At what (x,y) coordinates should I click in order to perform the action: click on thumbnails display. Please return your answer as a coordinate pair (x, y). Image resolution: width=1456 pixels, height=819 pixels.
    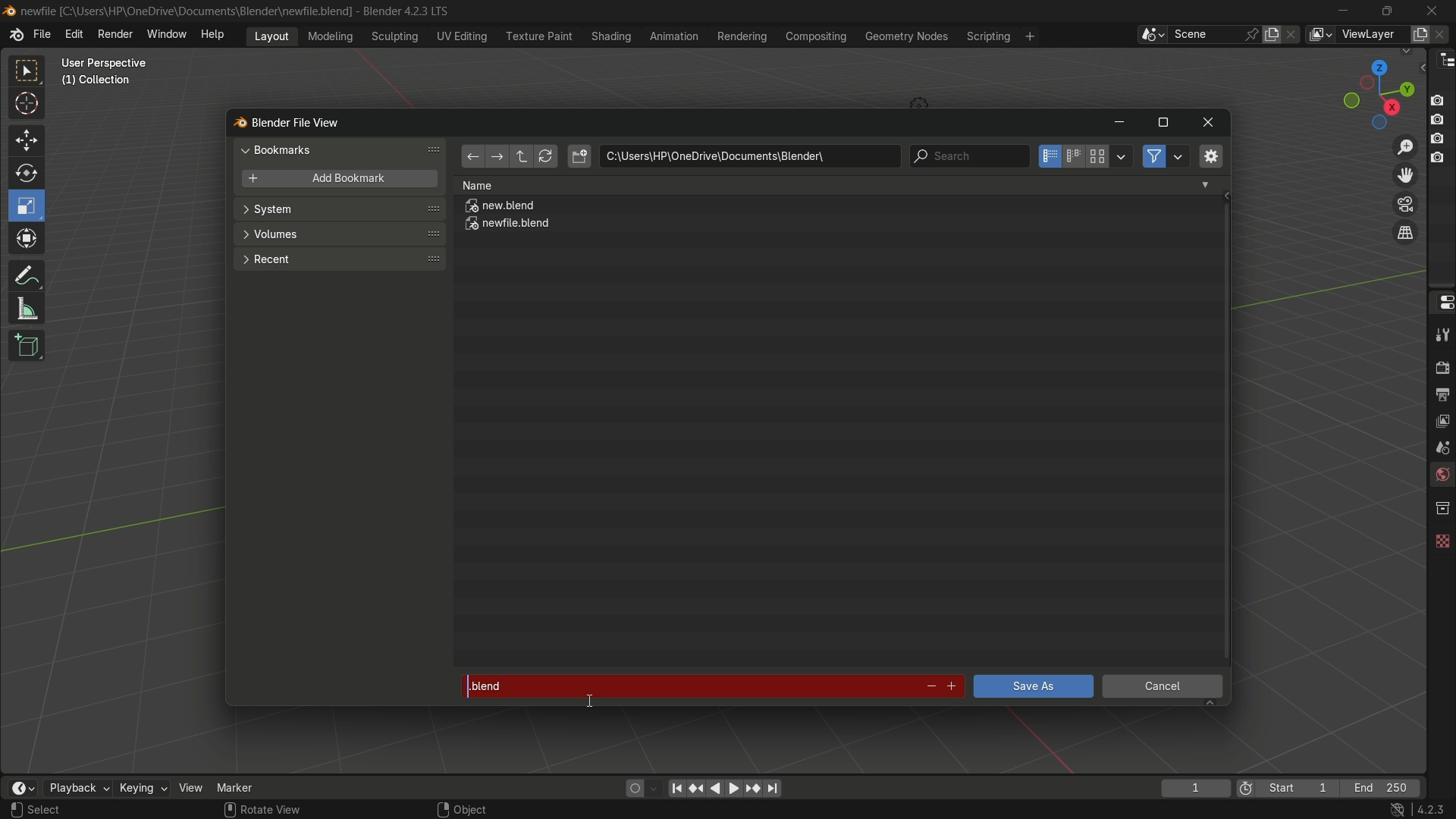
    Looking at the image, I should click on (1098, 157).